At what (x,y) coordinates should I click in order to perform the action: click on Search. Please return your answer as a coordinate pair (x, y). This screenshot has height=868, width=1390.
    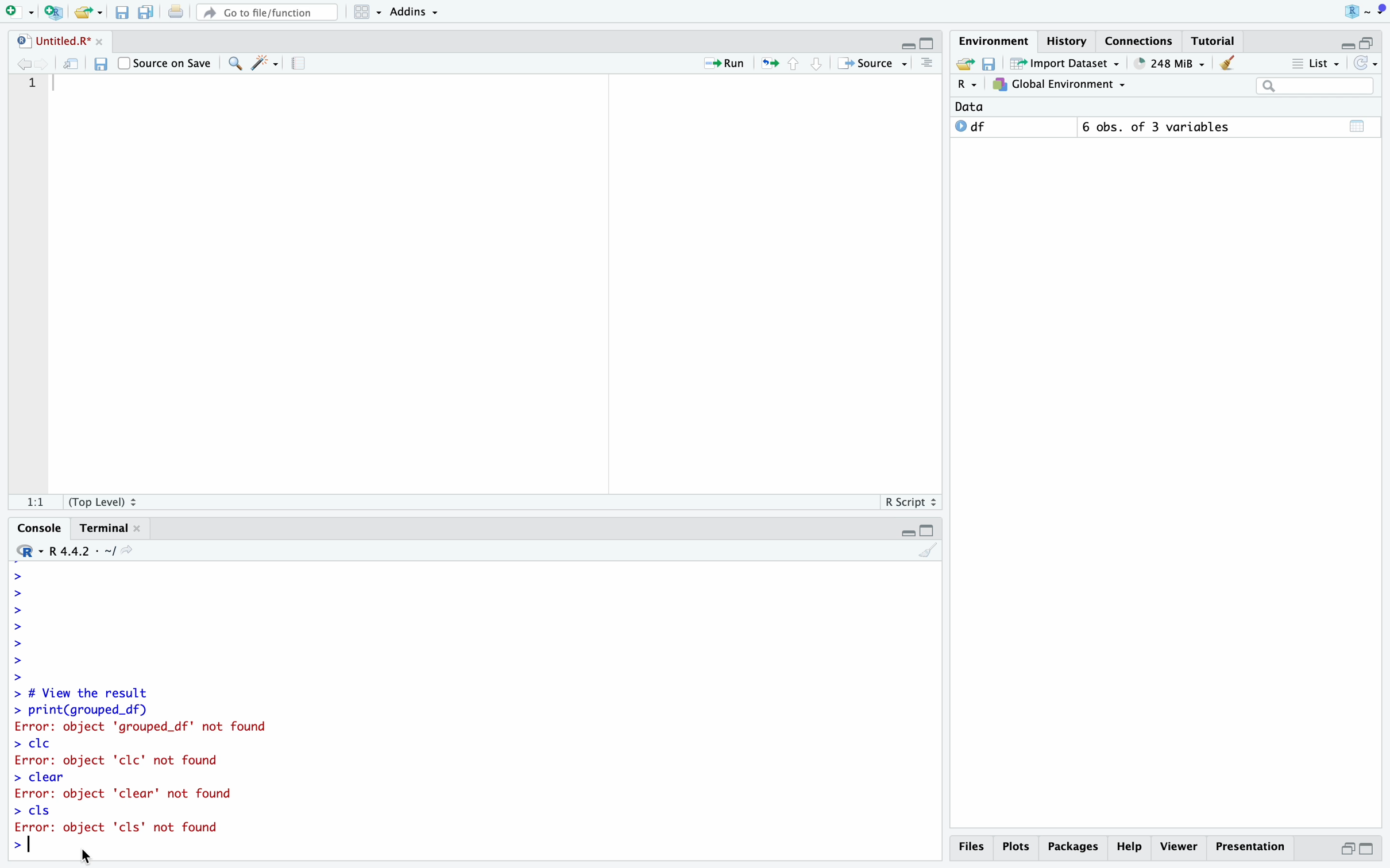
    Looking at the image, I should click on (1317, 86).